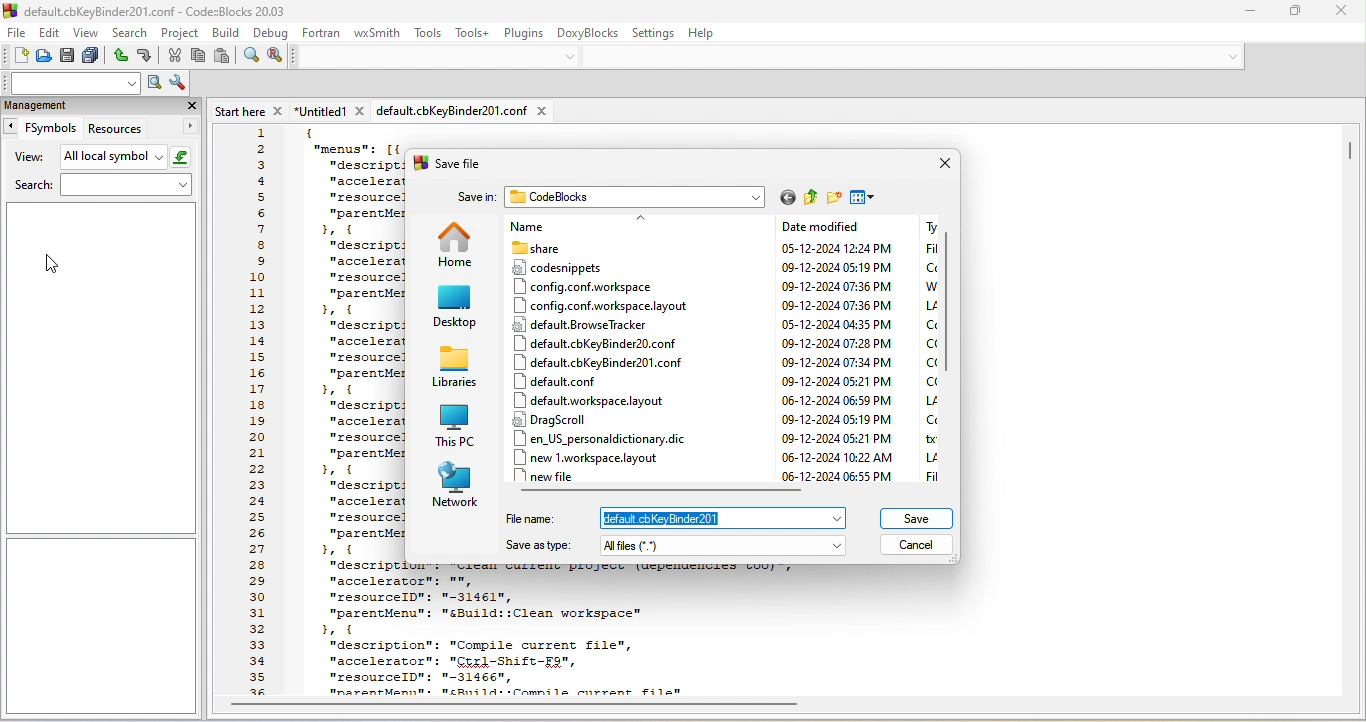  I want to click on fortran, so click(323, 34).